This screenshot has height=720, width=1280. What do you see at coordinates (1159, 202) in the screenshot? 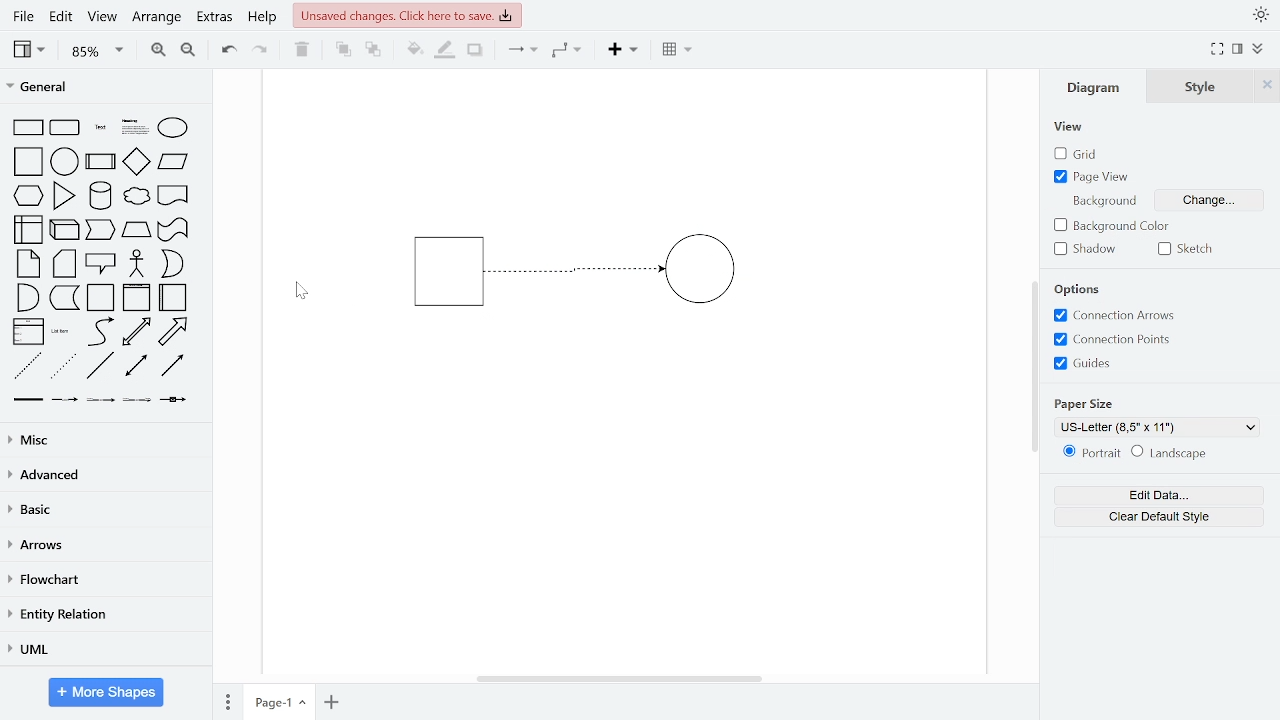
I see `change background` at bounding box center [1159, 202].